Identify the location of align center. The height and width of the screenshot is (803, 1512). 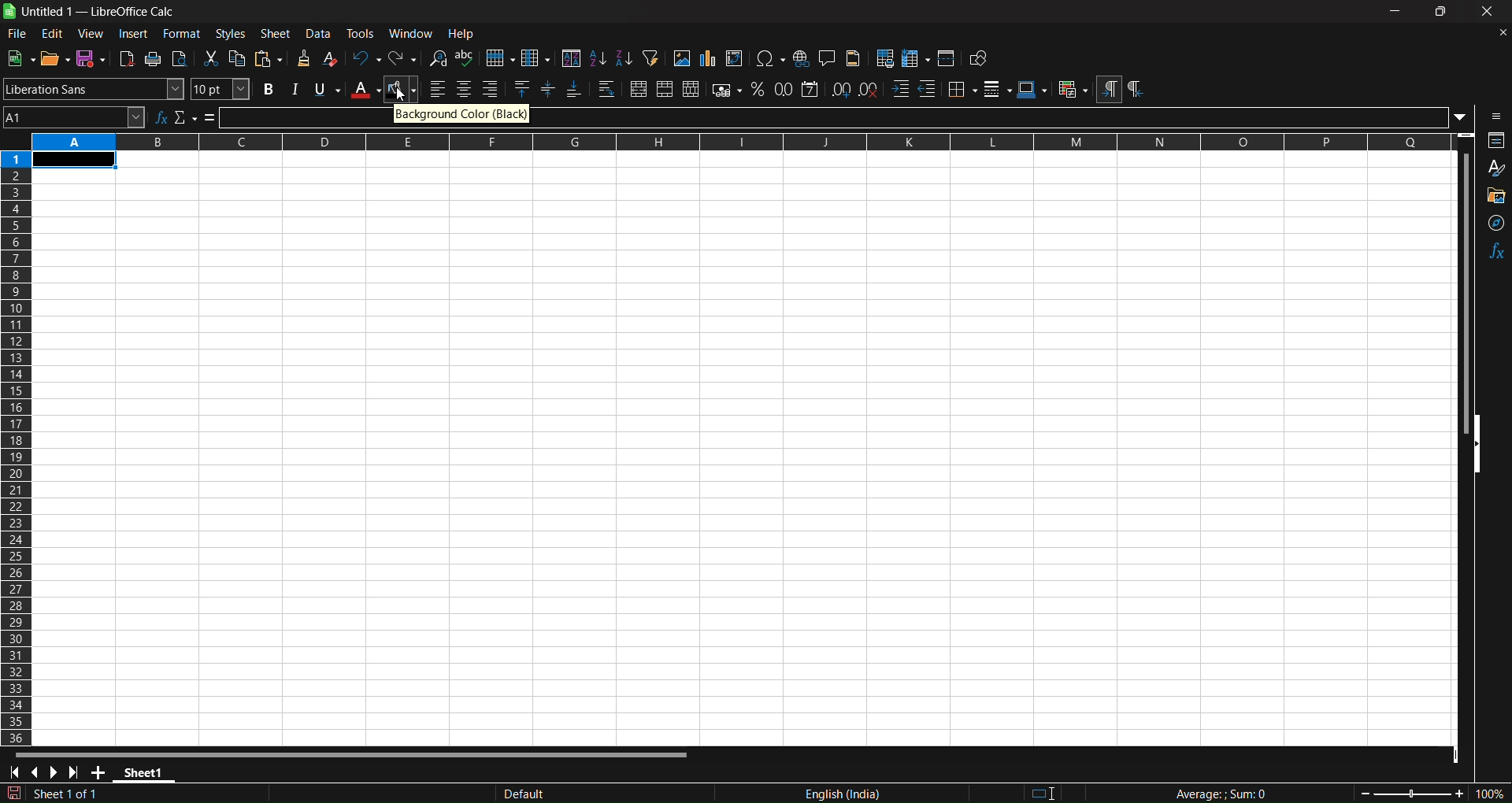
(465, 87).